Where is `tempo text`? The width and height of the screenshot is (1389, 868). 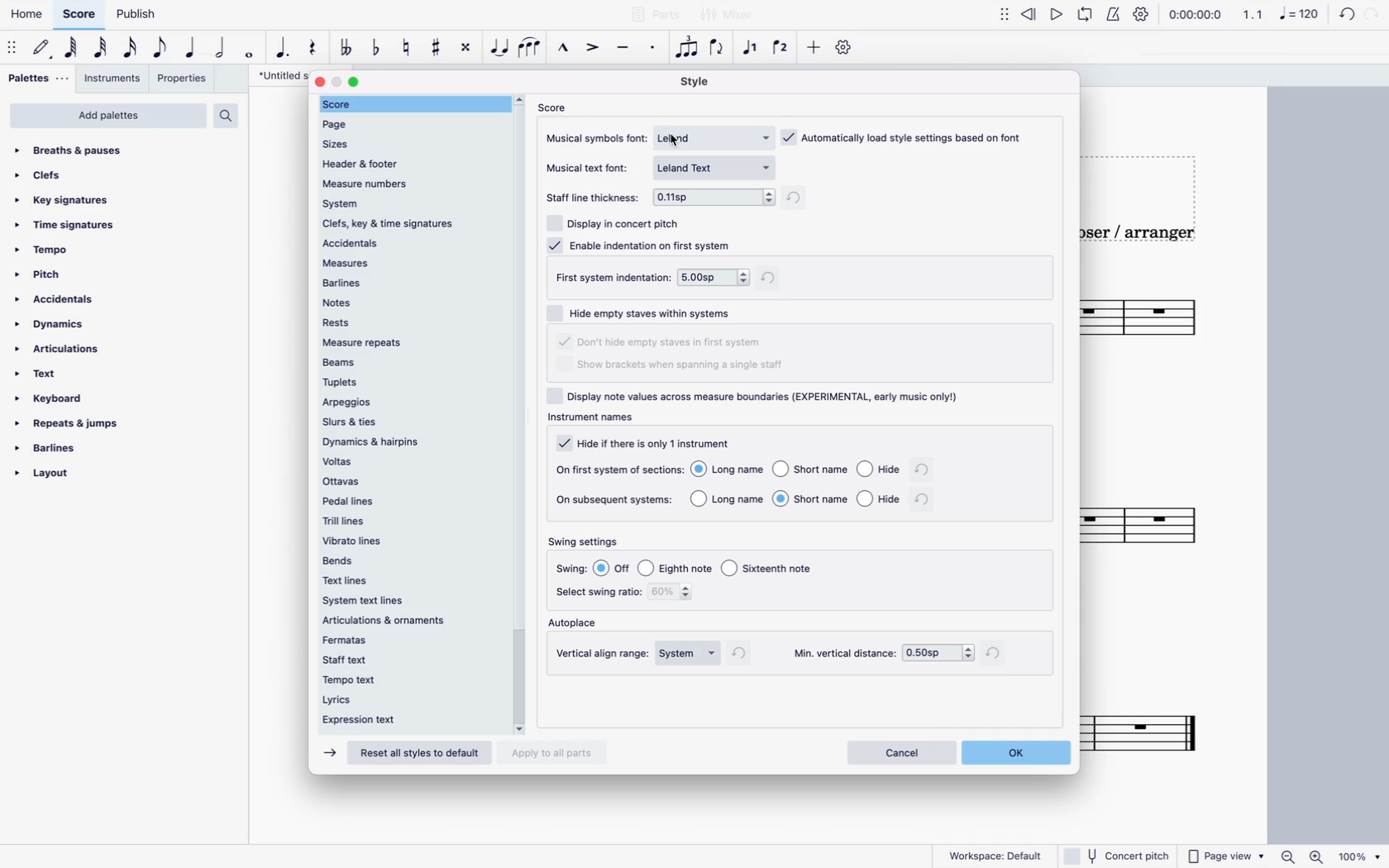
tempo text is located at coordinates (408, 680).